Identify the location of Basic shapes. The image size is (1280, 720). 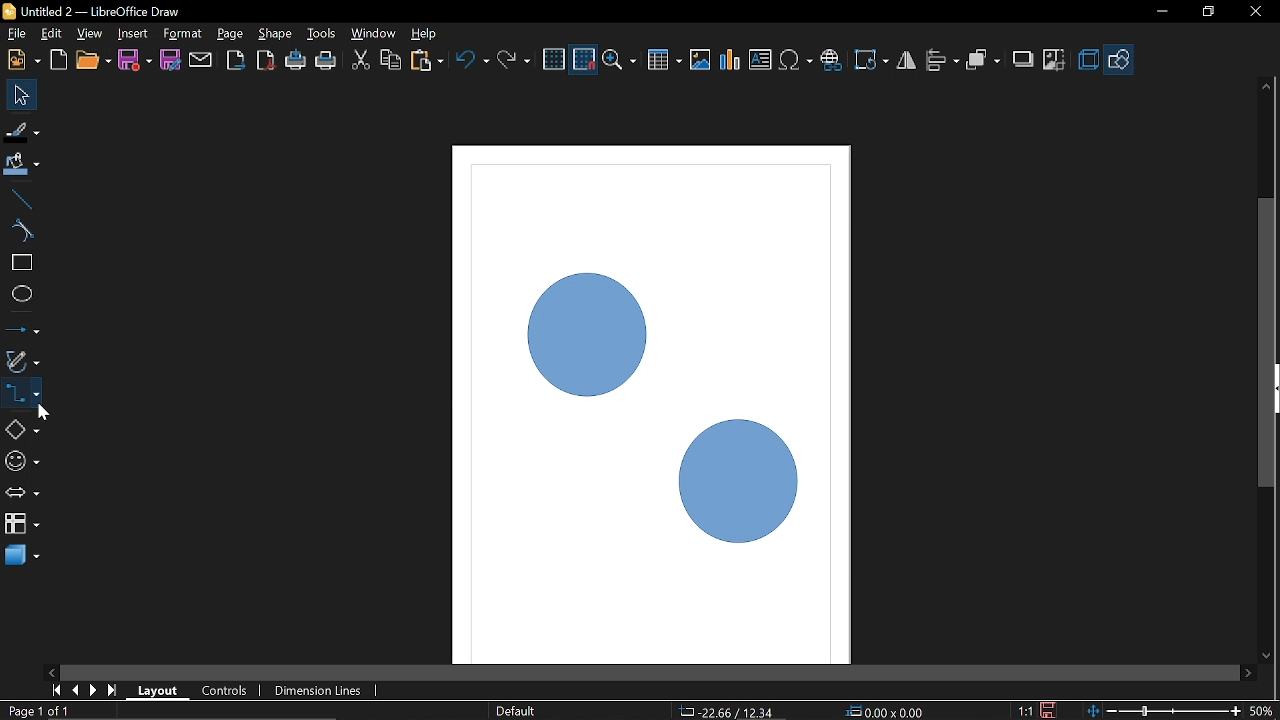
(21, 427).